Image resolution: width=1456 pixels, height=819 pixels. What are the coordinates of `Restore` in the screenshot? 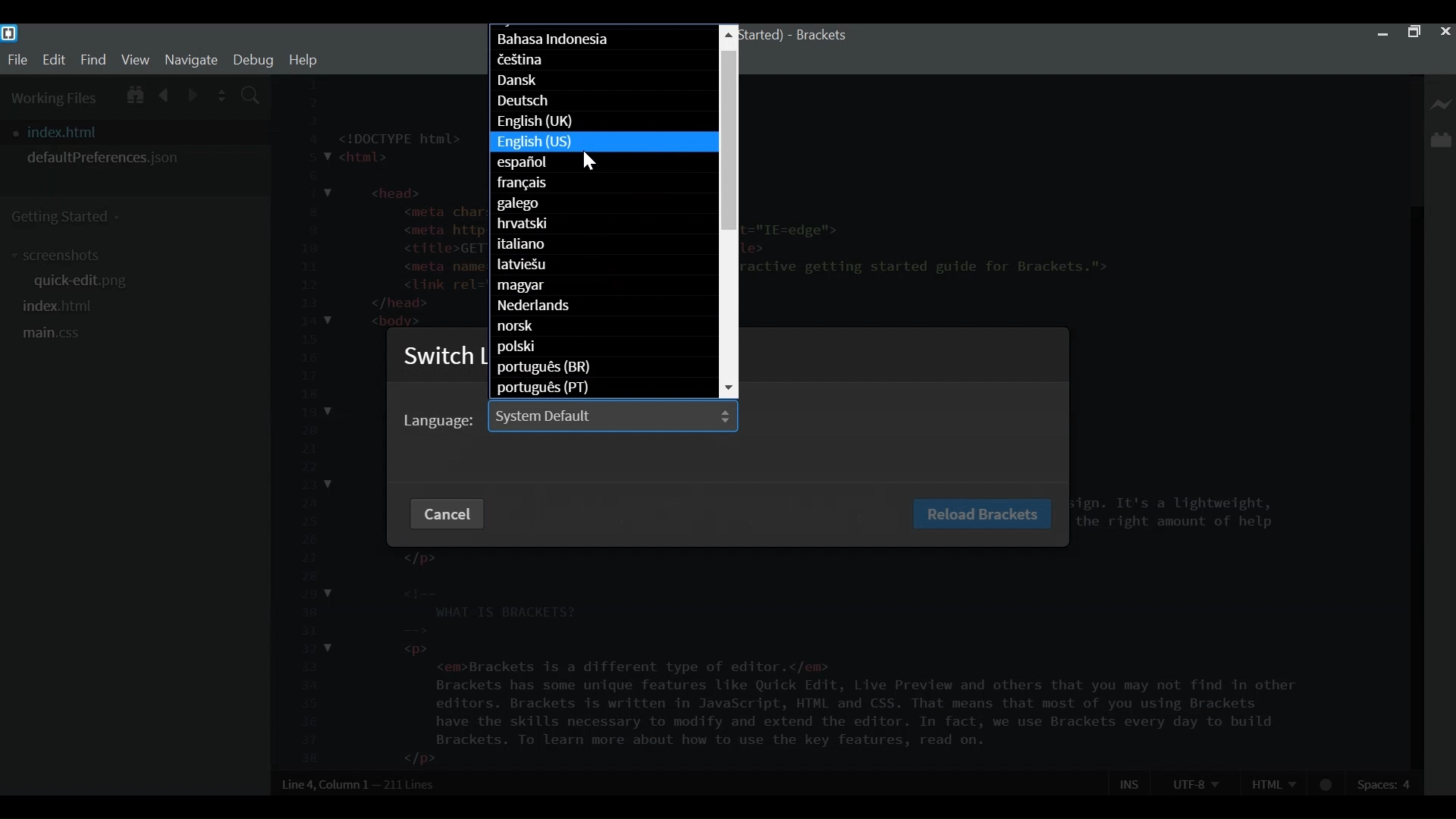 It's located at (1413, 33).